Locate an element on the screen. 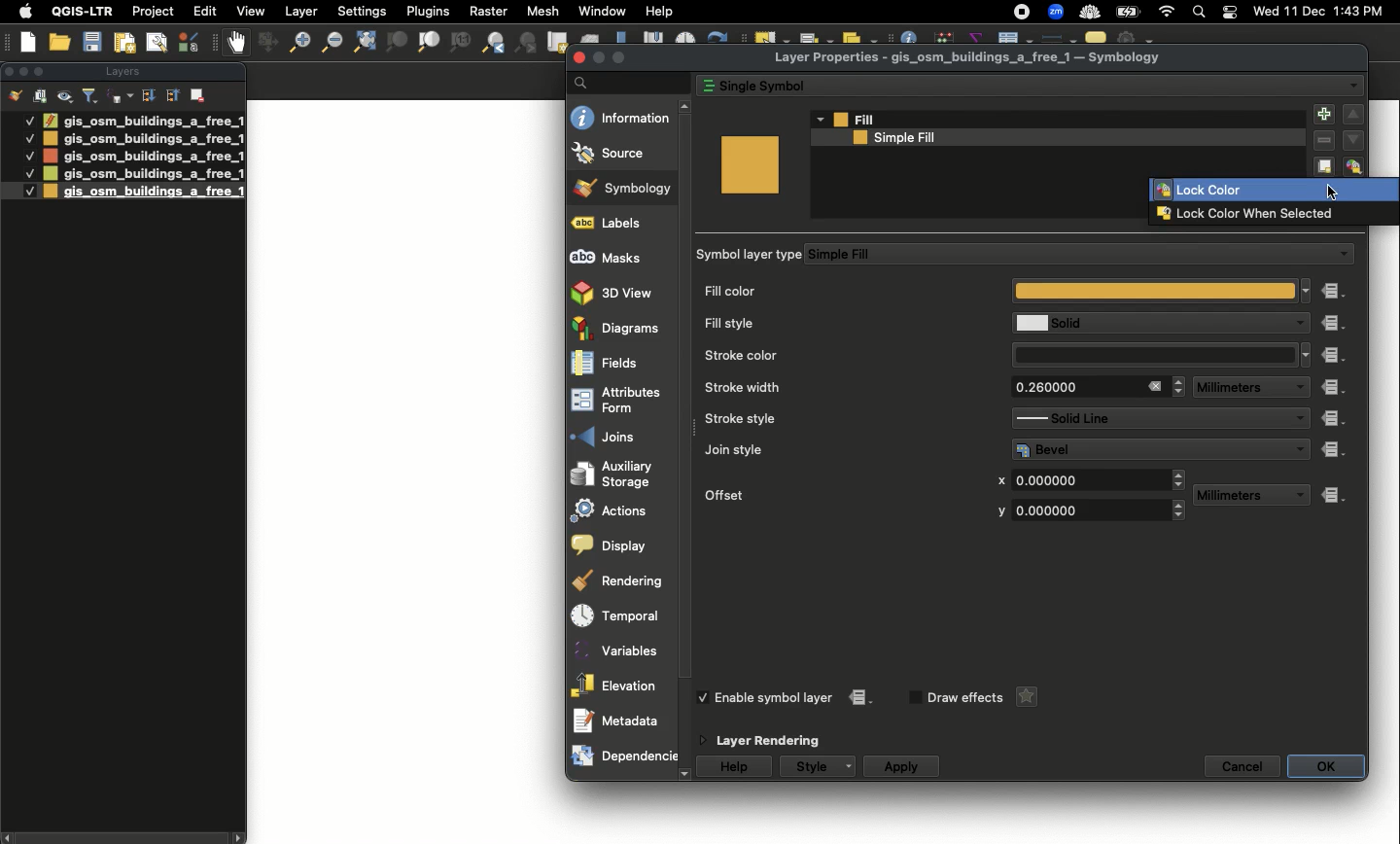 Image resolution: width=1400 pixels, height=844 pixels. Offset is located at coordinates (831, 493).